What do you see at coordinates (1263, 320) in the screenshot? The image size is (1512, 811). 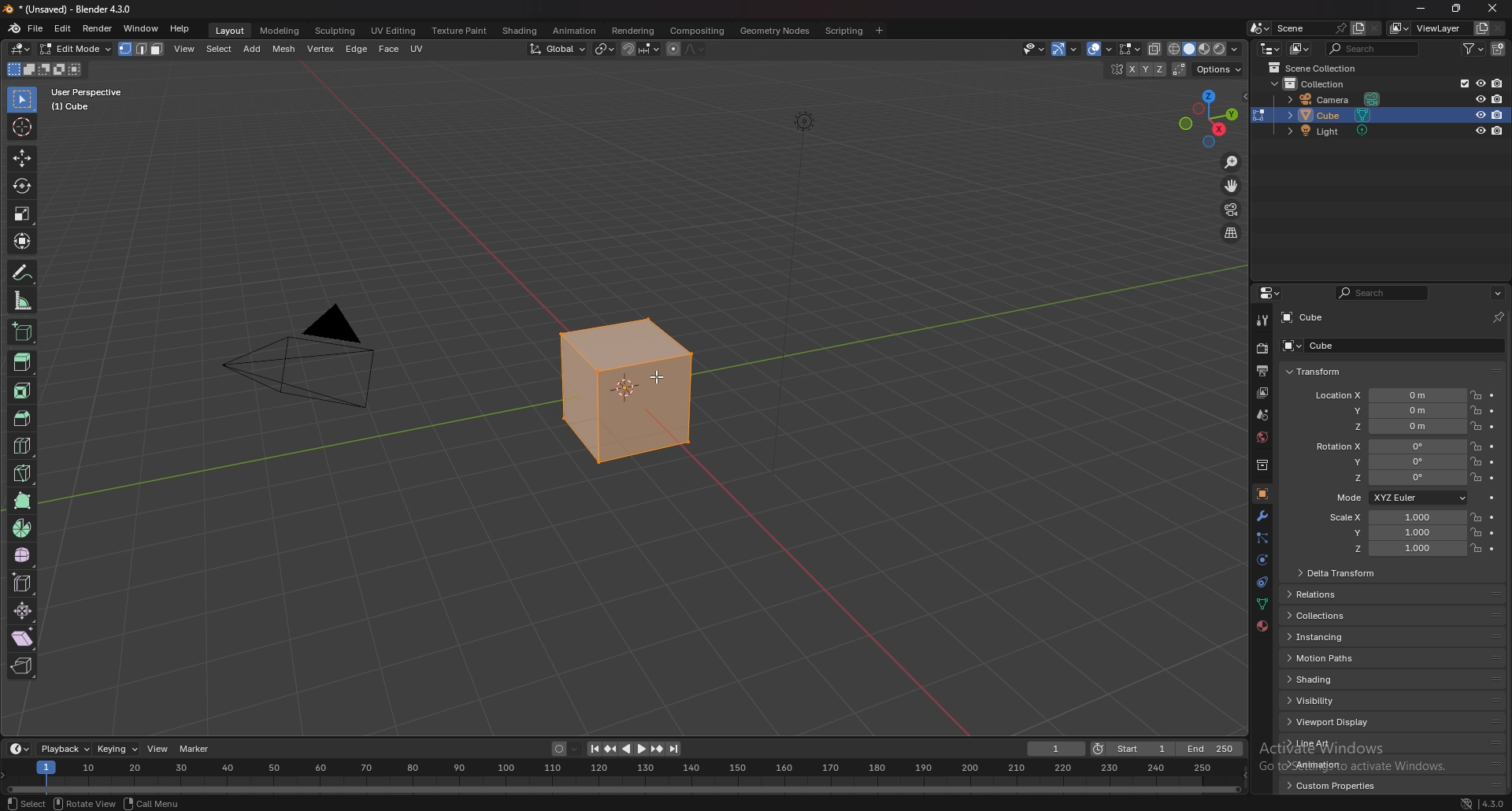 I see `tool` at bounding box center [1263, 320].